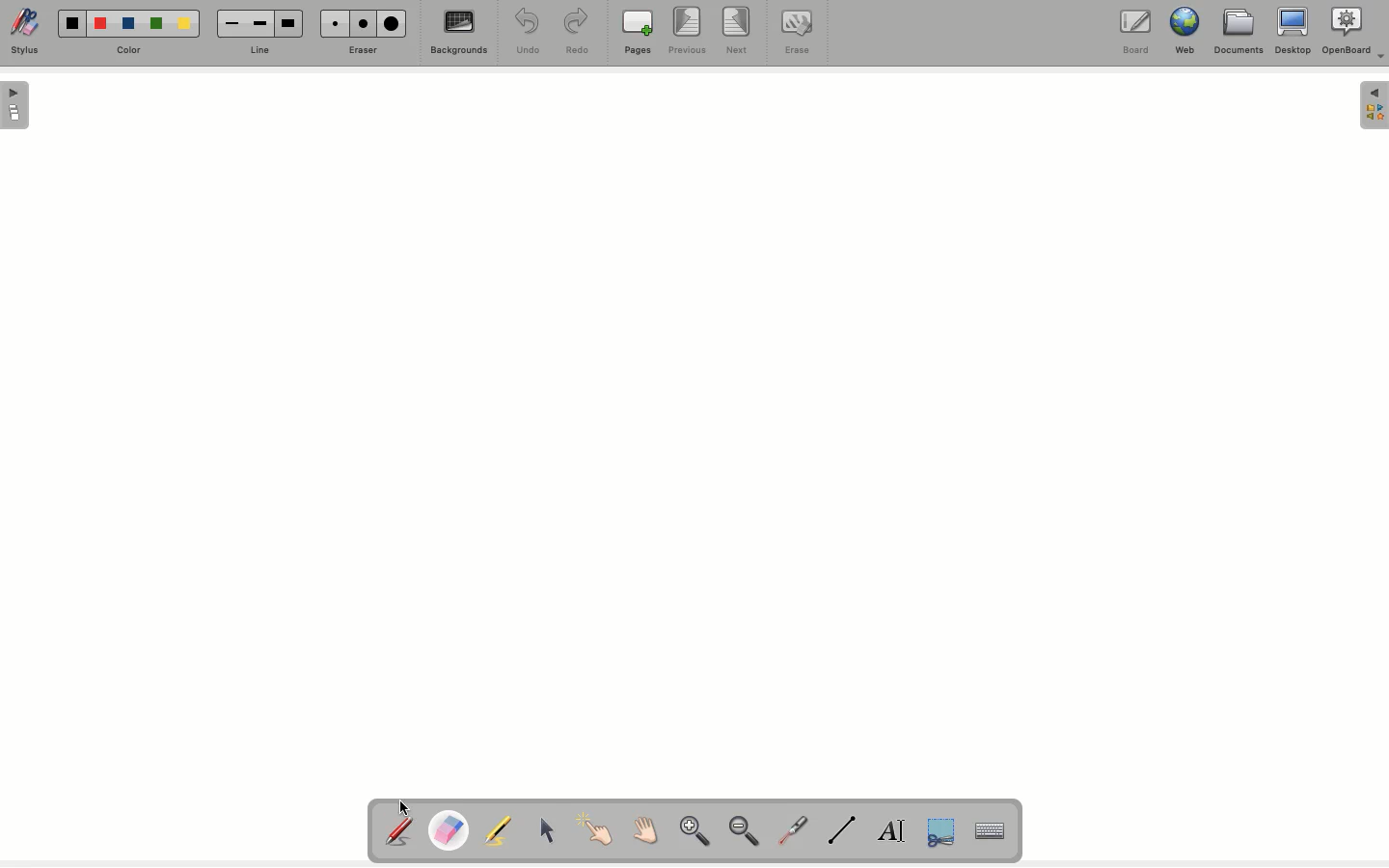 This screenshot has width=1389, height=868. I want to click on Menu, so click(1374, 107).